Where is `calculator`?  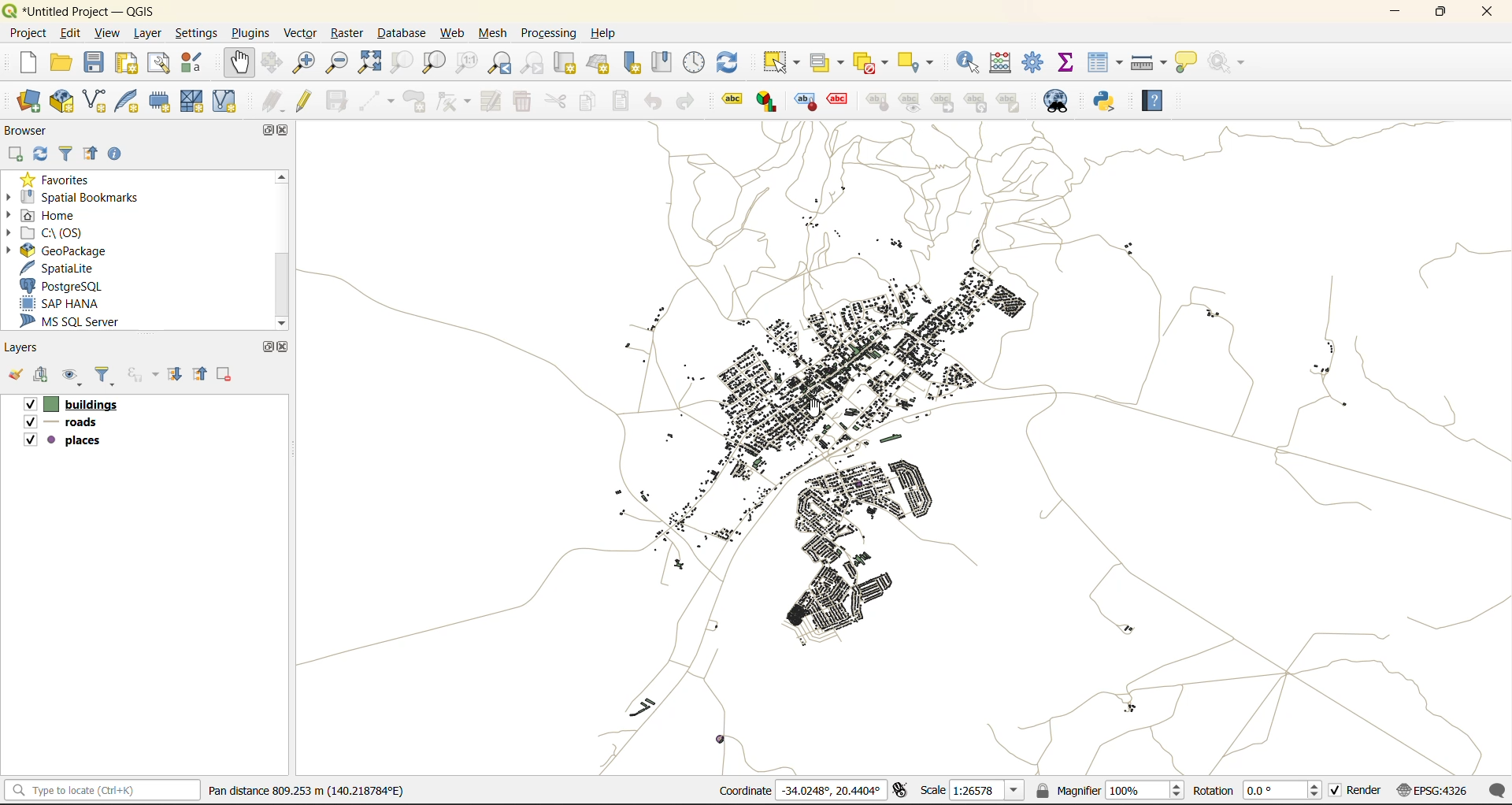 calculator is located at coordinates (1002, 63).